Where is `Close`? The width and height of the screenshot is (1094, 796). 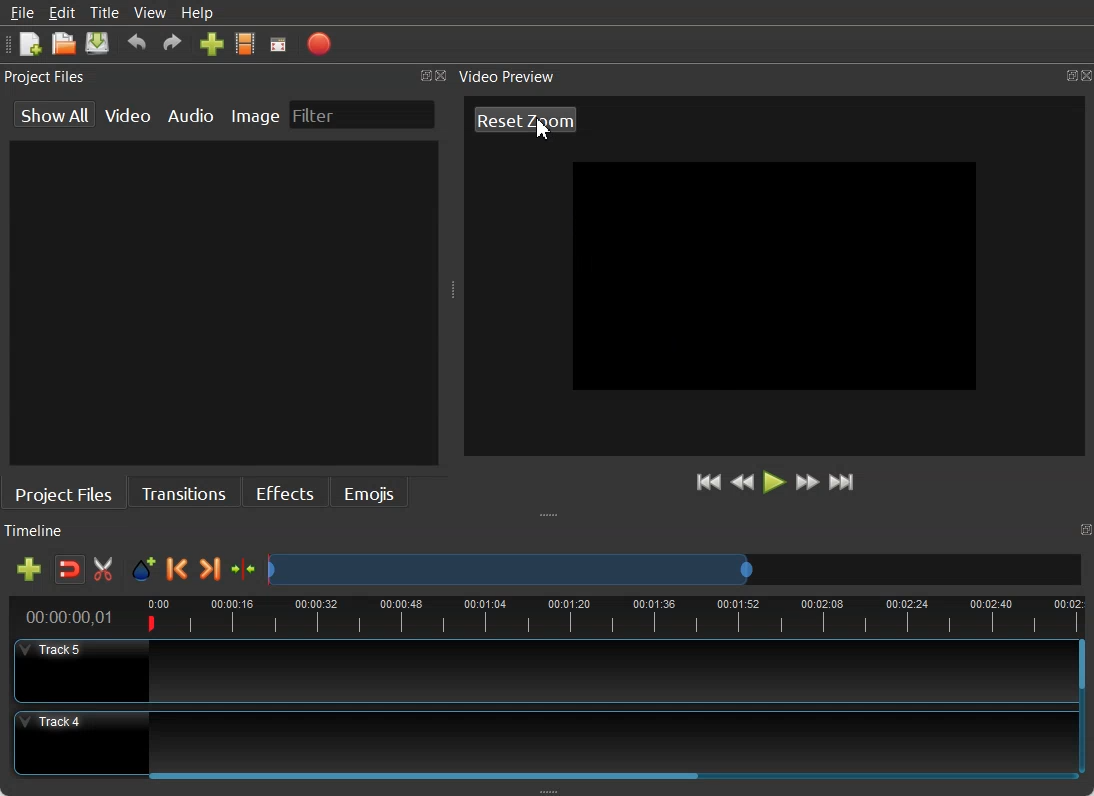
Close is located at coordinates (1086, 76).